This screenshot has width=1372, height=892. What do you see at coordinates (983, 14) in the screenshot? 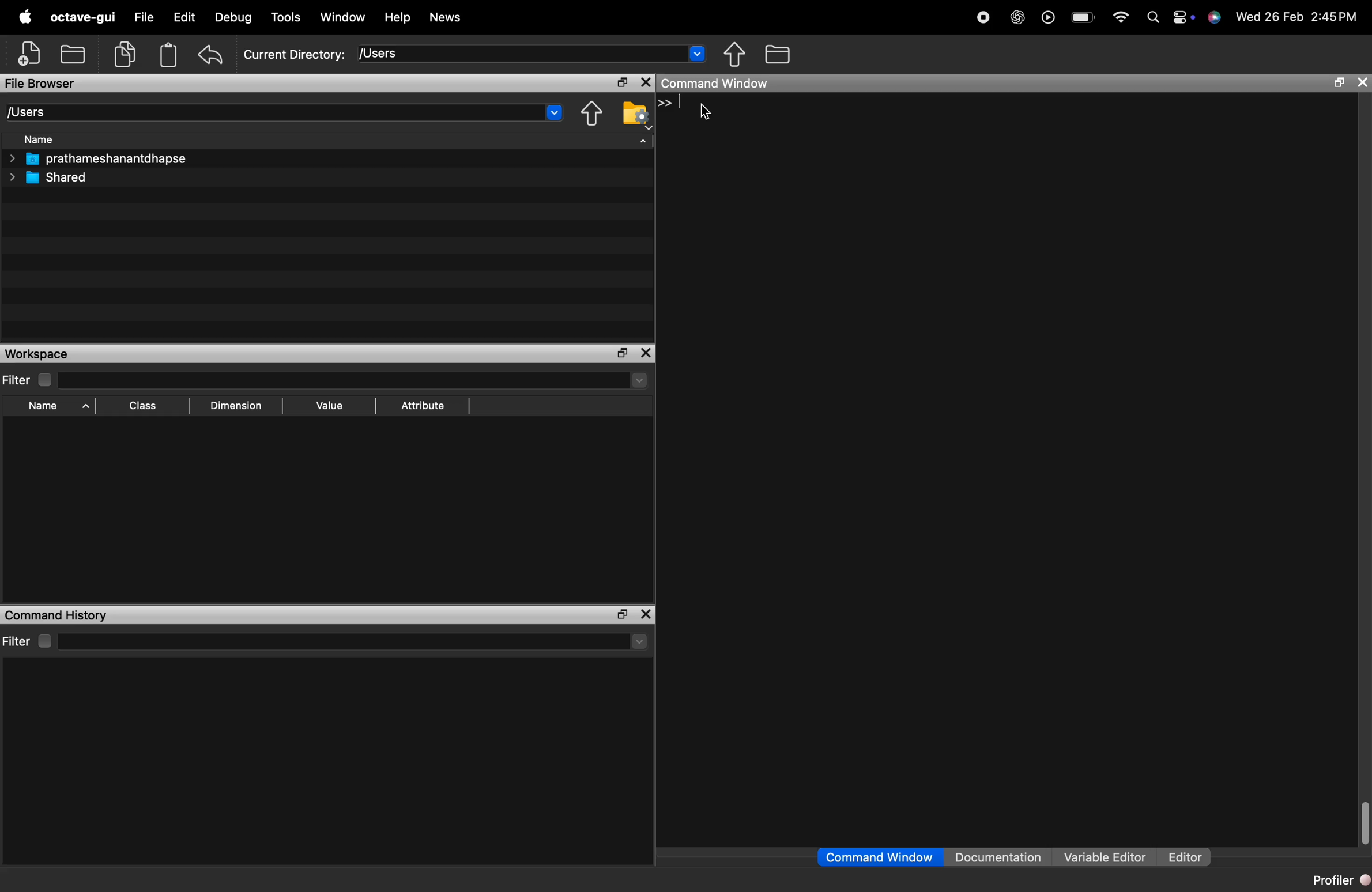
I see `stop` at bounding box center [983, 14].